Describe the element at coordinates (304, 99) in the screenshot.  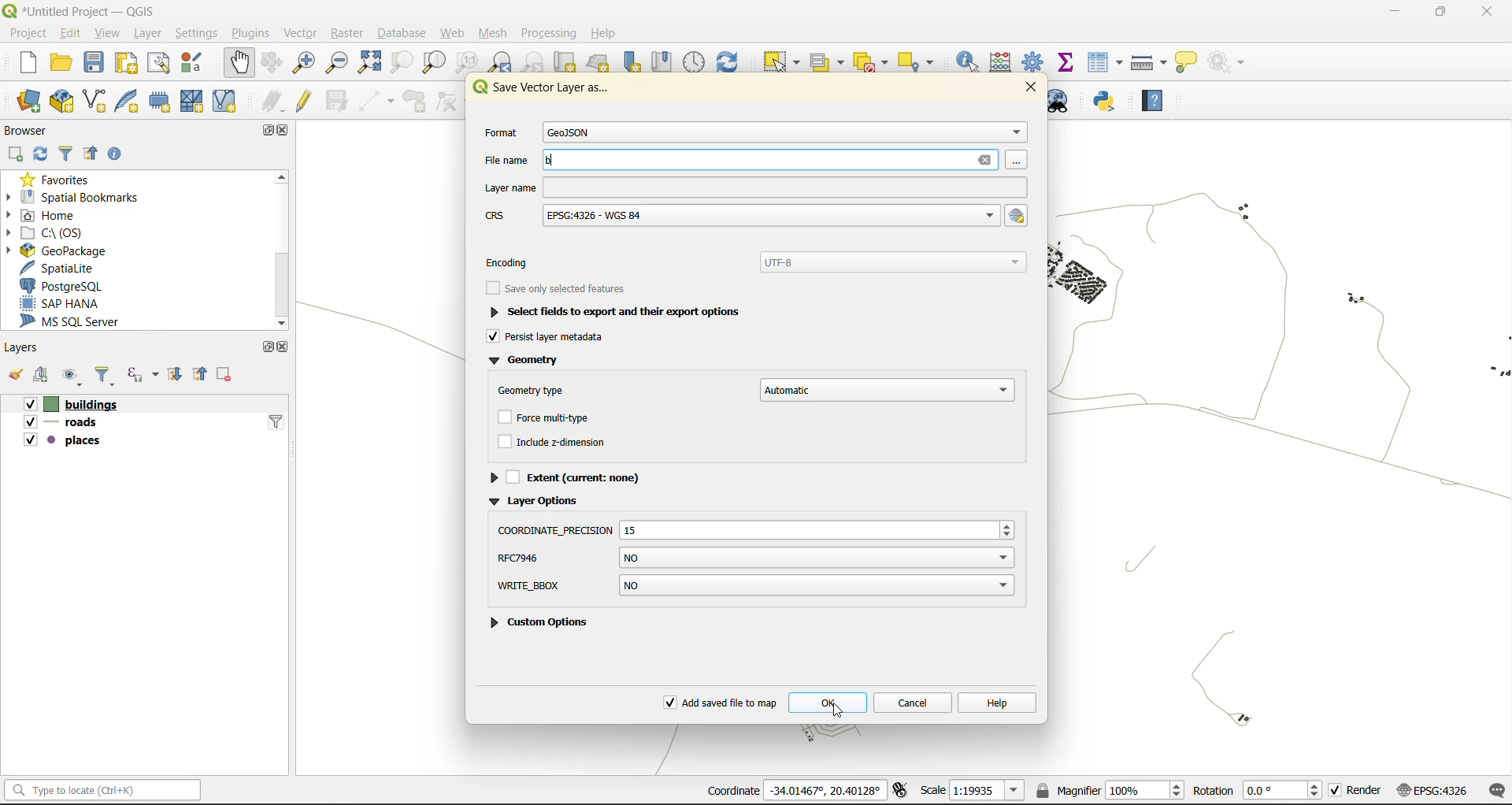
I see `toggle edits` at that location.